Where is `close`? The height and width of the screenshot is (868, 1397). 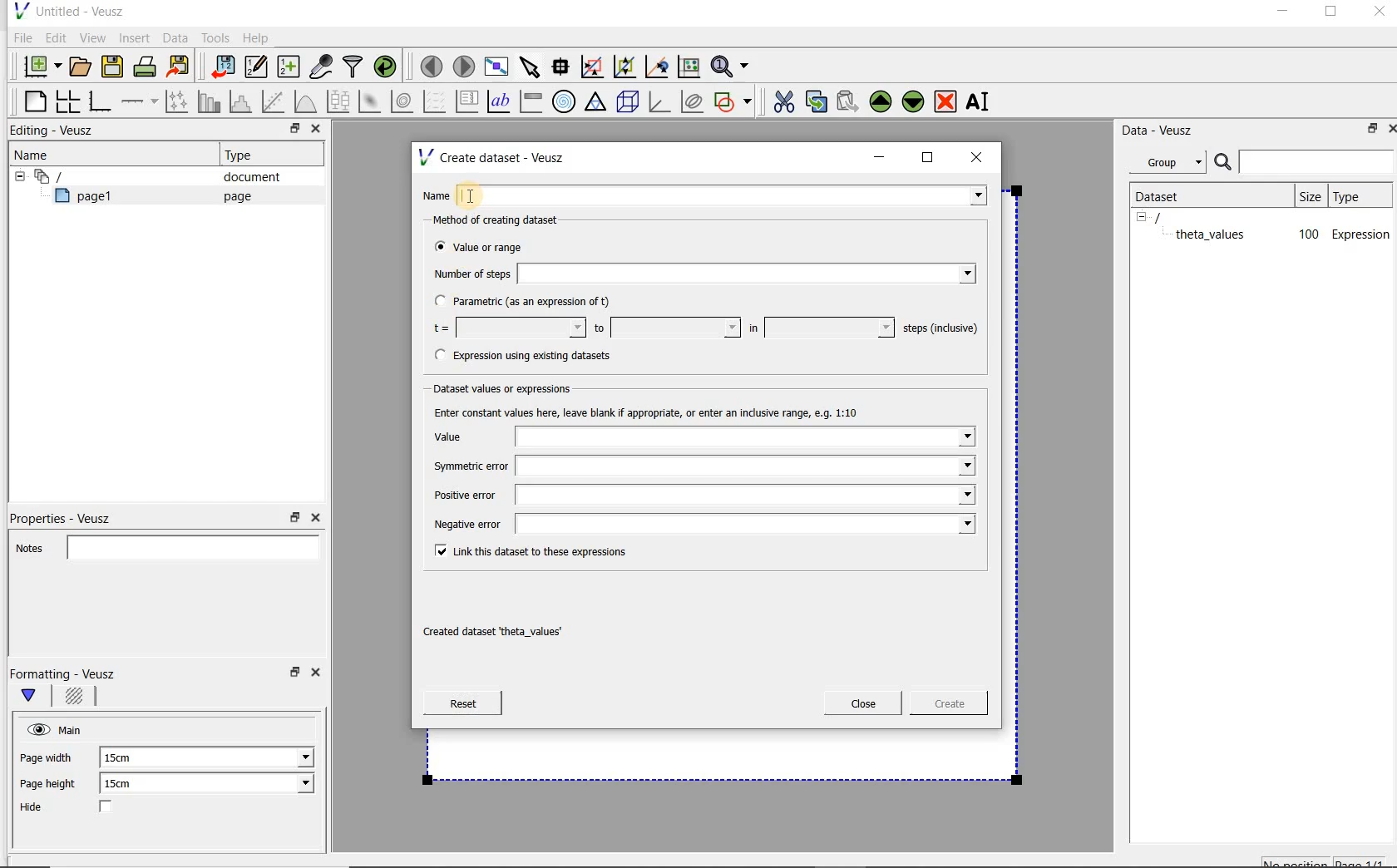
close is located at coordinates (982, 156).